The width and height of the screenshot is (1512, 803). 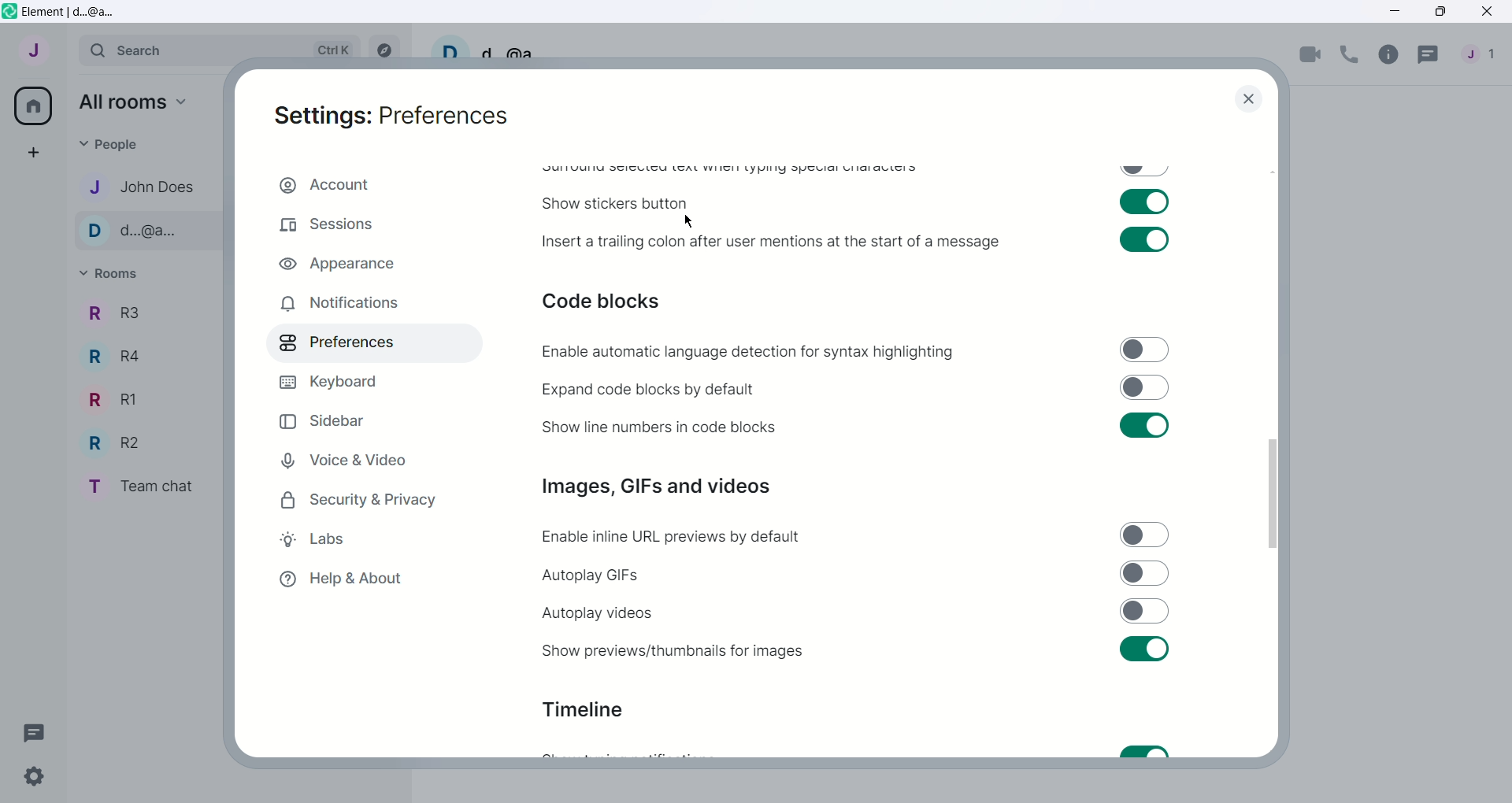 I want to click on Toggle switch off for autoplay GIFs, so click(x=1145, y=573).